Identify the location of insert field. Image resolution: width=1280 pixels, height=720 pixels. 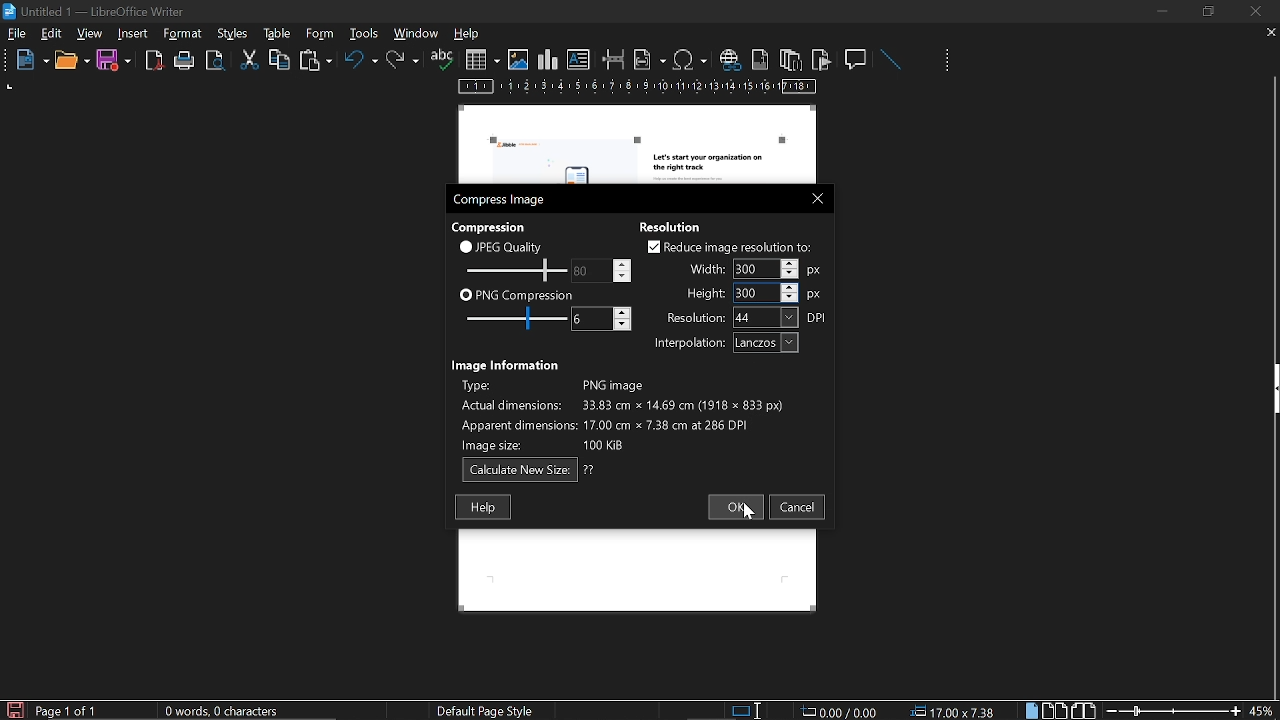
(650, 59).